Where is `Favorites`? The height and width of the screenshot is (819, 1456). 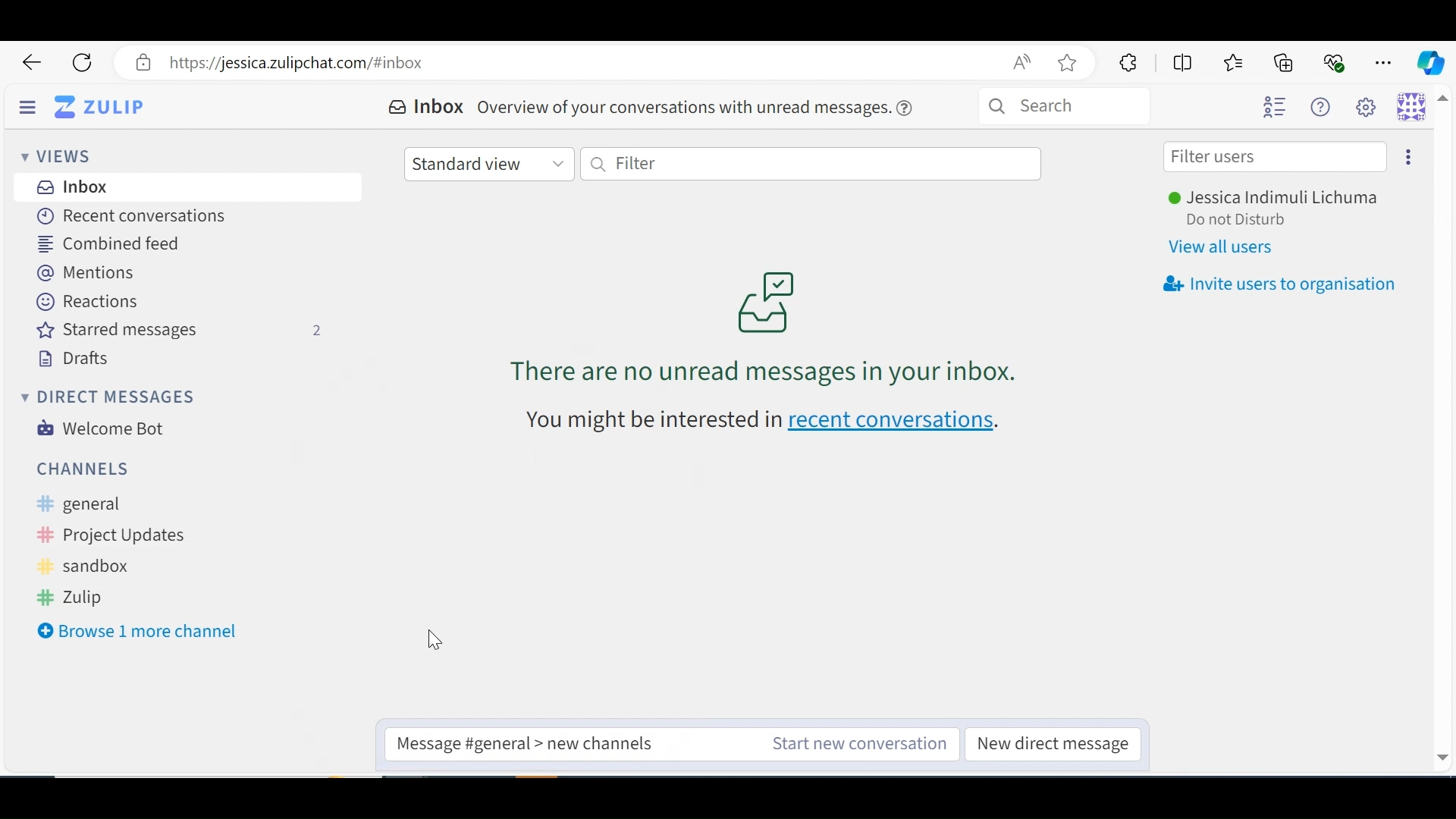 Favorites is located at coordinates (1235, 62).